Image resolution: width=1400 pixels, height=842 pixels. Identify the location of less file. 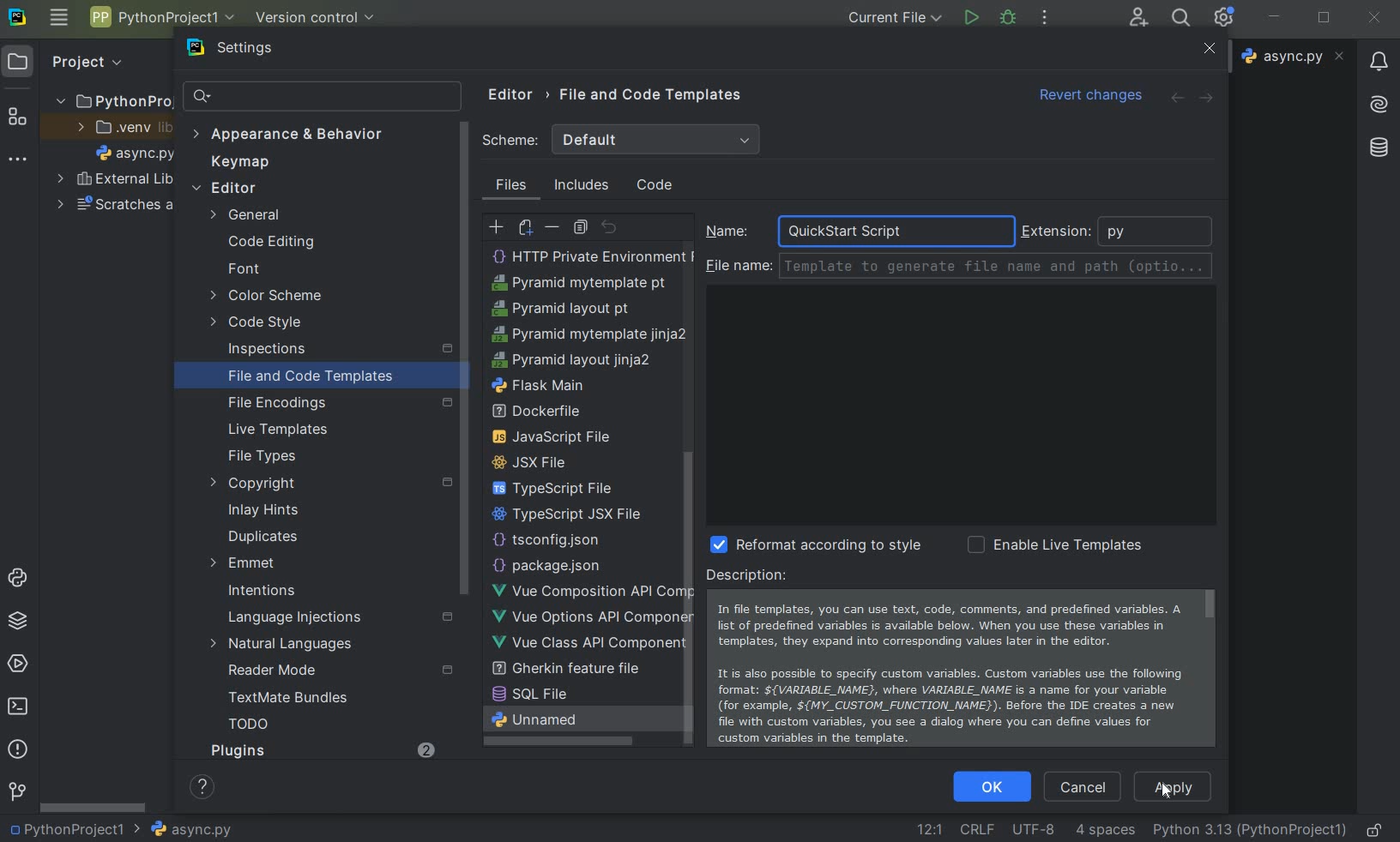
(561, 310).